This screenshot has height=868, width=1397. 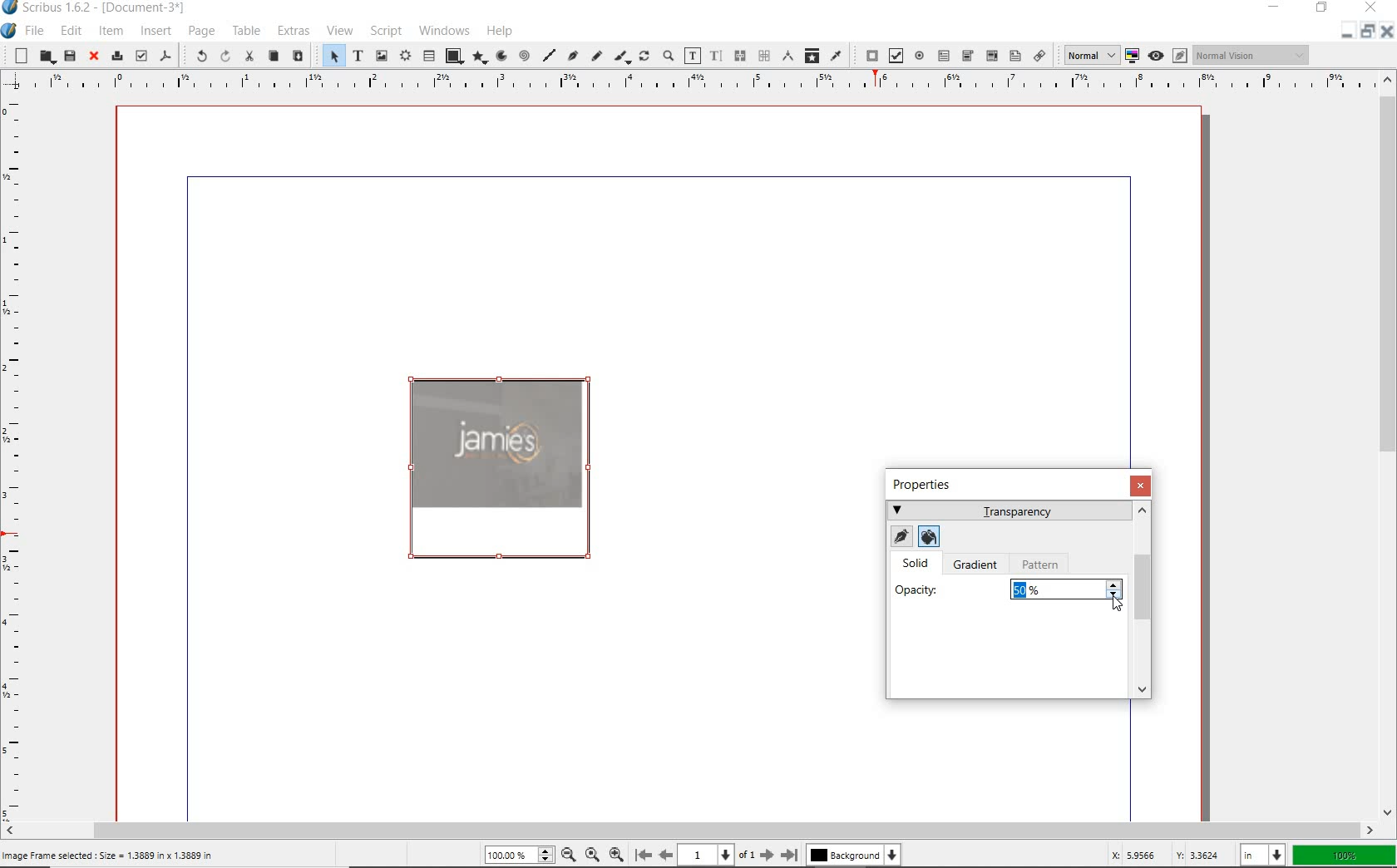 I want to click on RULER, so click(x=684, y=81).